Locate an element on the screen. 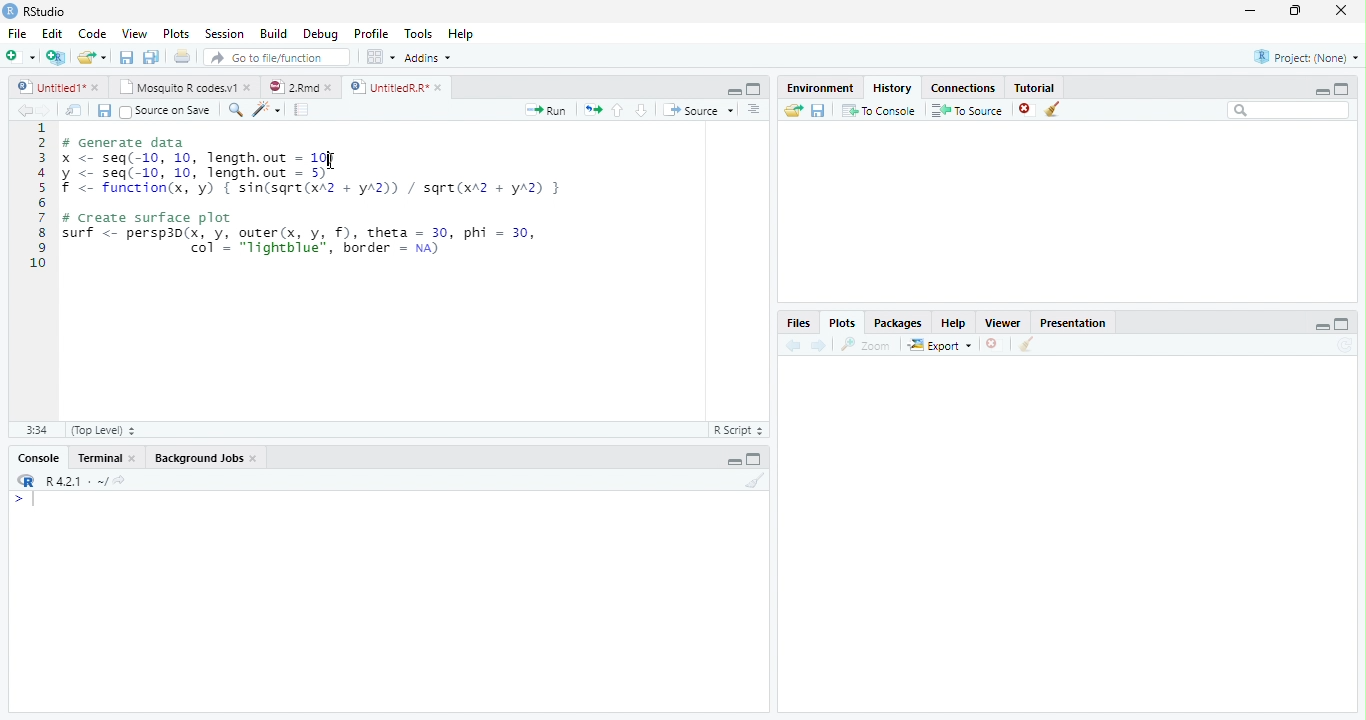 The image size is (1366, 720). Remove the selected history entries is located at coordinates (1026, 110).